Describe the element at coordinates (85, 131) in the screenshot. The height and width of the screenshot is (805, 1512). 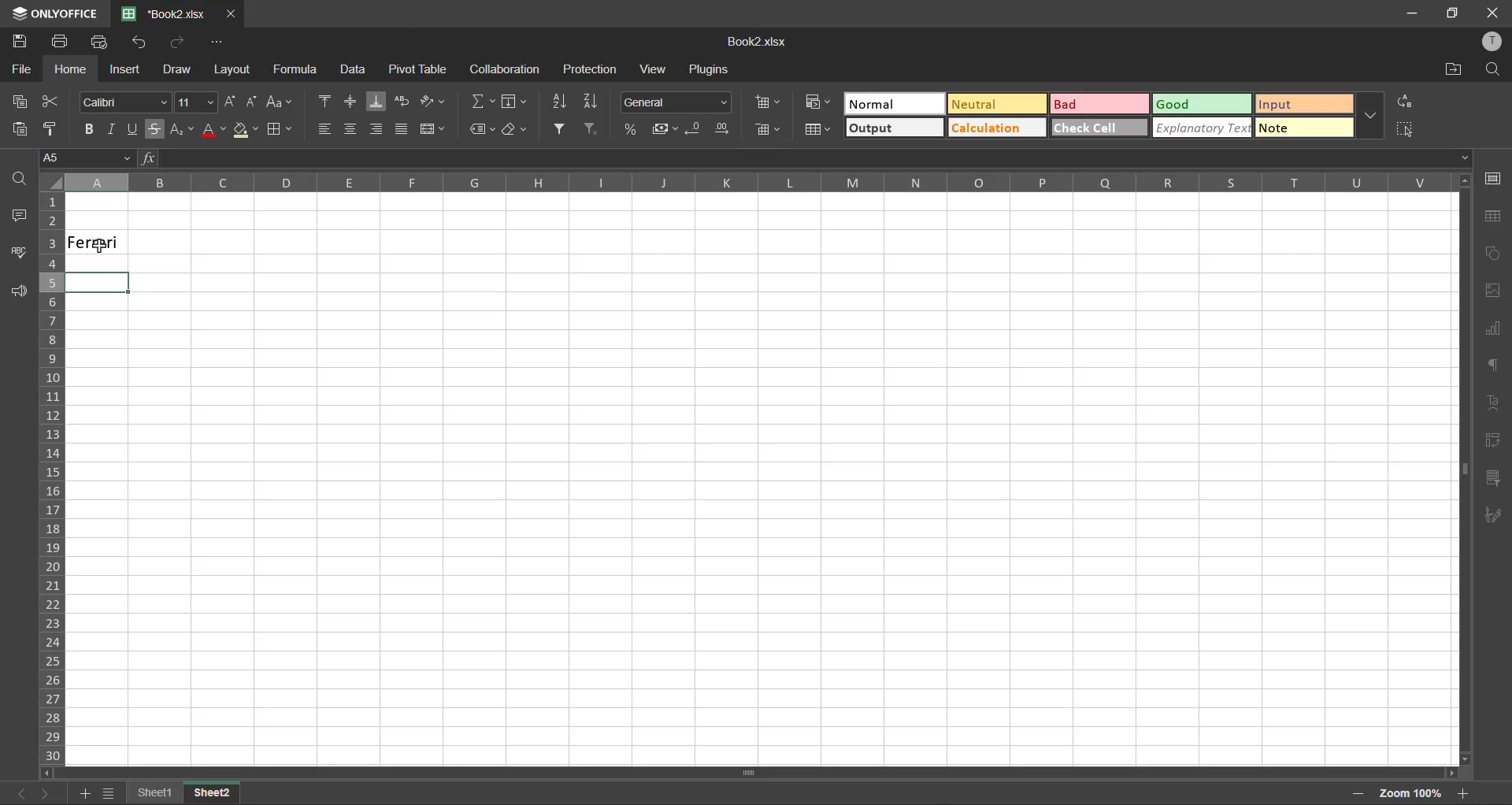
I see `bold` at that location.